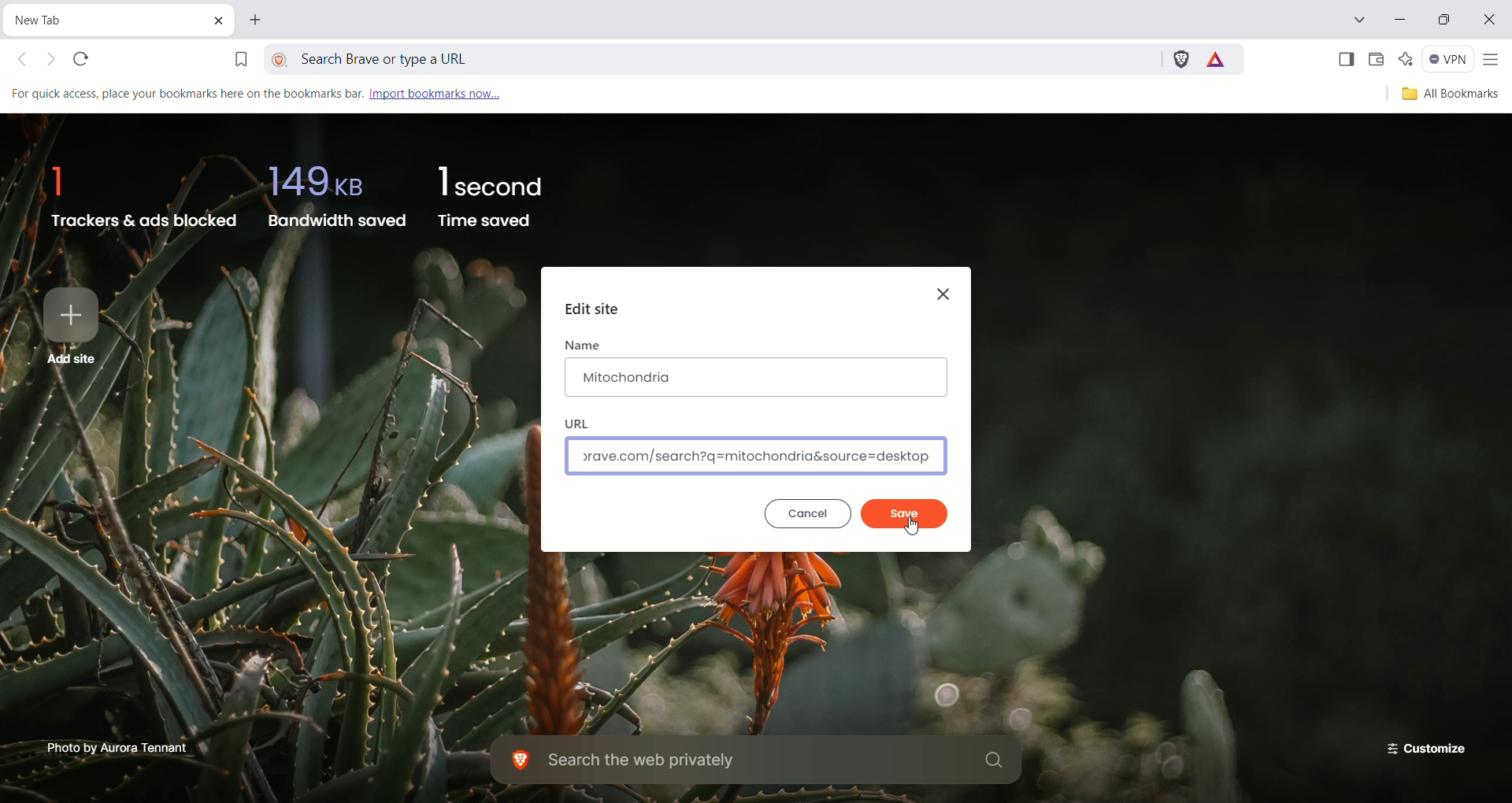 The width and height of the screenshot is (1512, 803). What do you see at coordinates (450, 93) in the screenshot?
I see `import bookmarks now` at bounding box center [450, 93].